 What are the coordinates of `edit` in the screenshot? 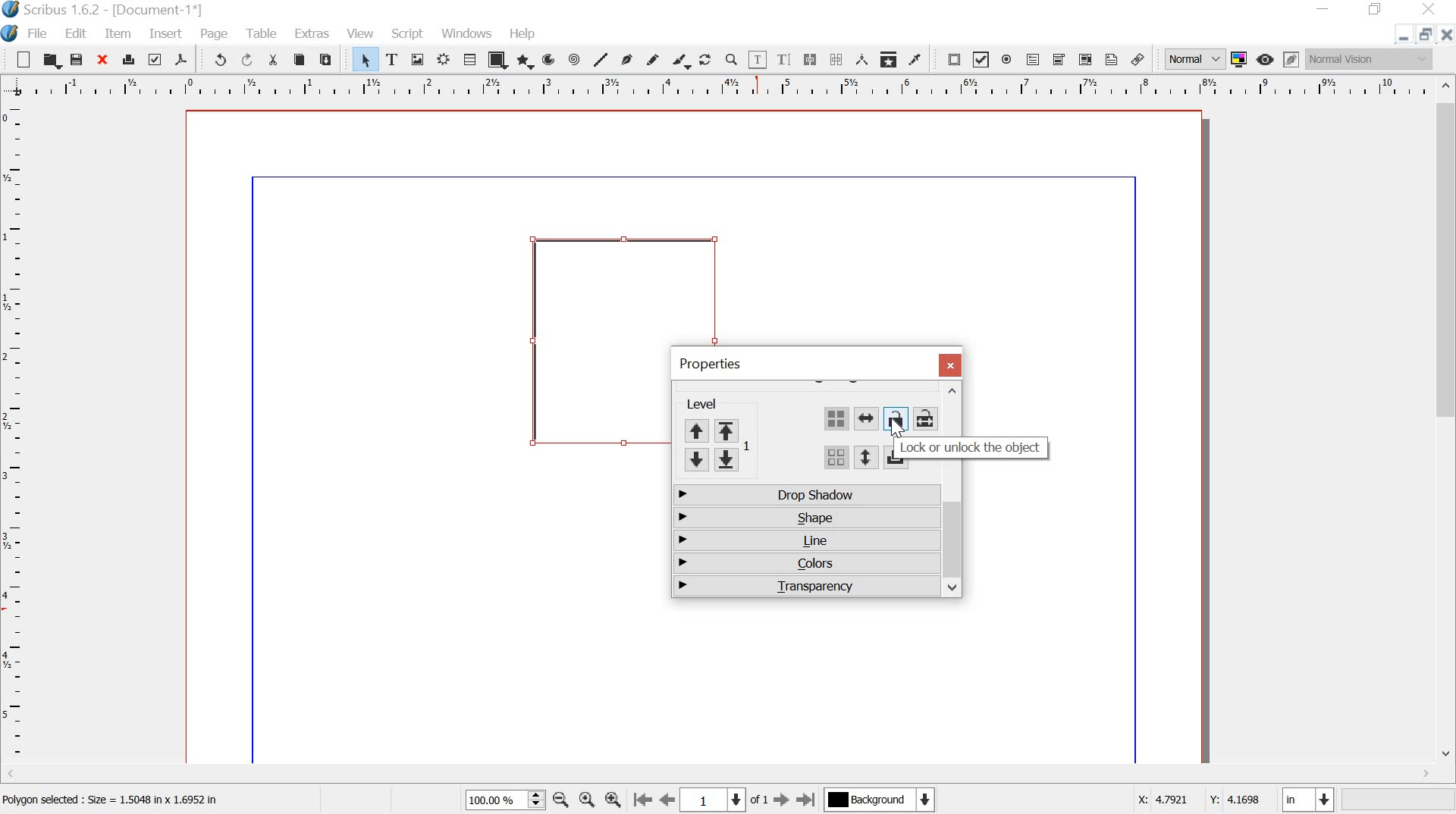 It's located at (76, 33).